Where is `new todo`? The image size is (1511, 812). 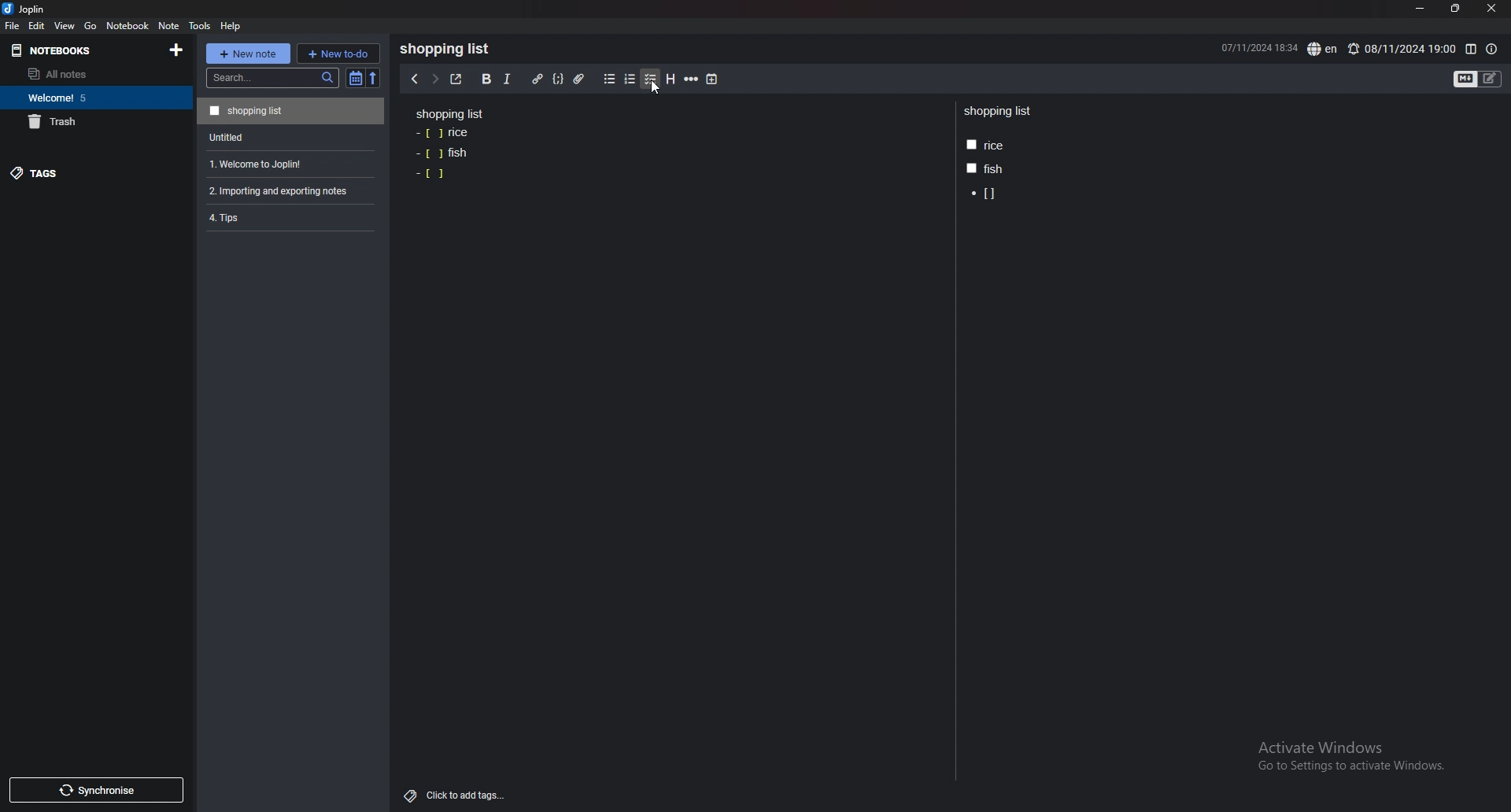
new todo is located at coordinates (338, 53).